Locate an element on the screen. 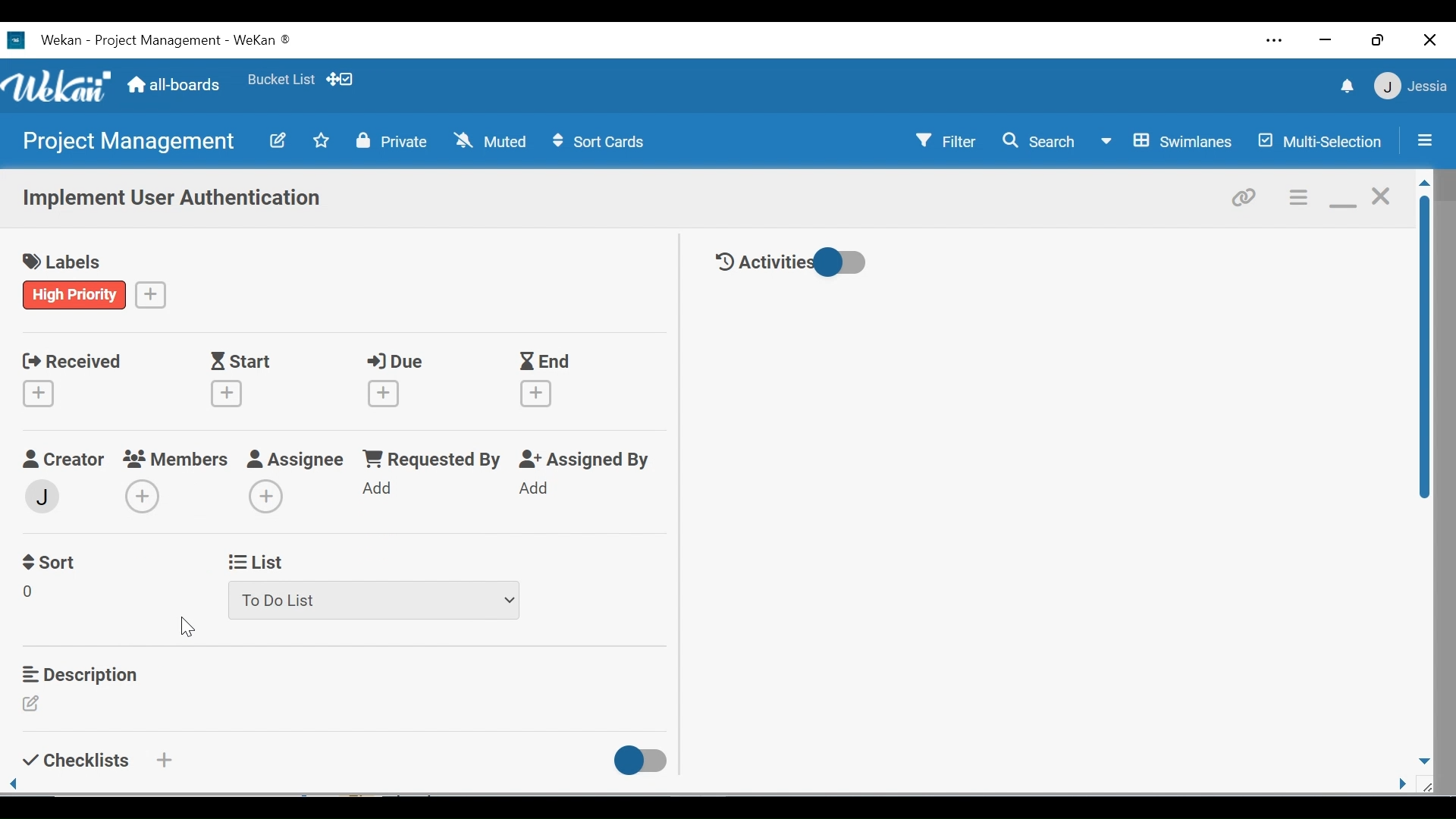 The image size is (1456, 819). Labels is located at coordinates (63, 258).